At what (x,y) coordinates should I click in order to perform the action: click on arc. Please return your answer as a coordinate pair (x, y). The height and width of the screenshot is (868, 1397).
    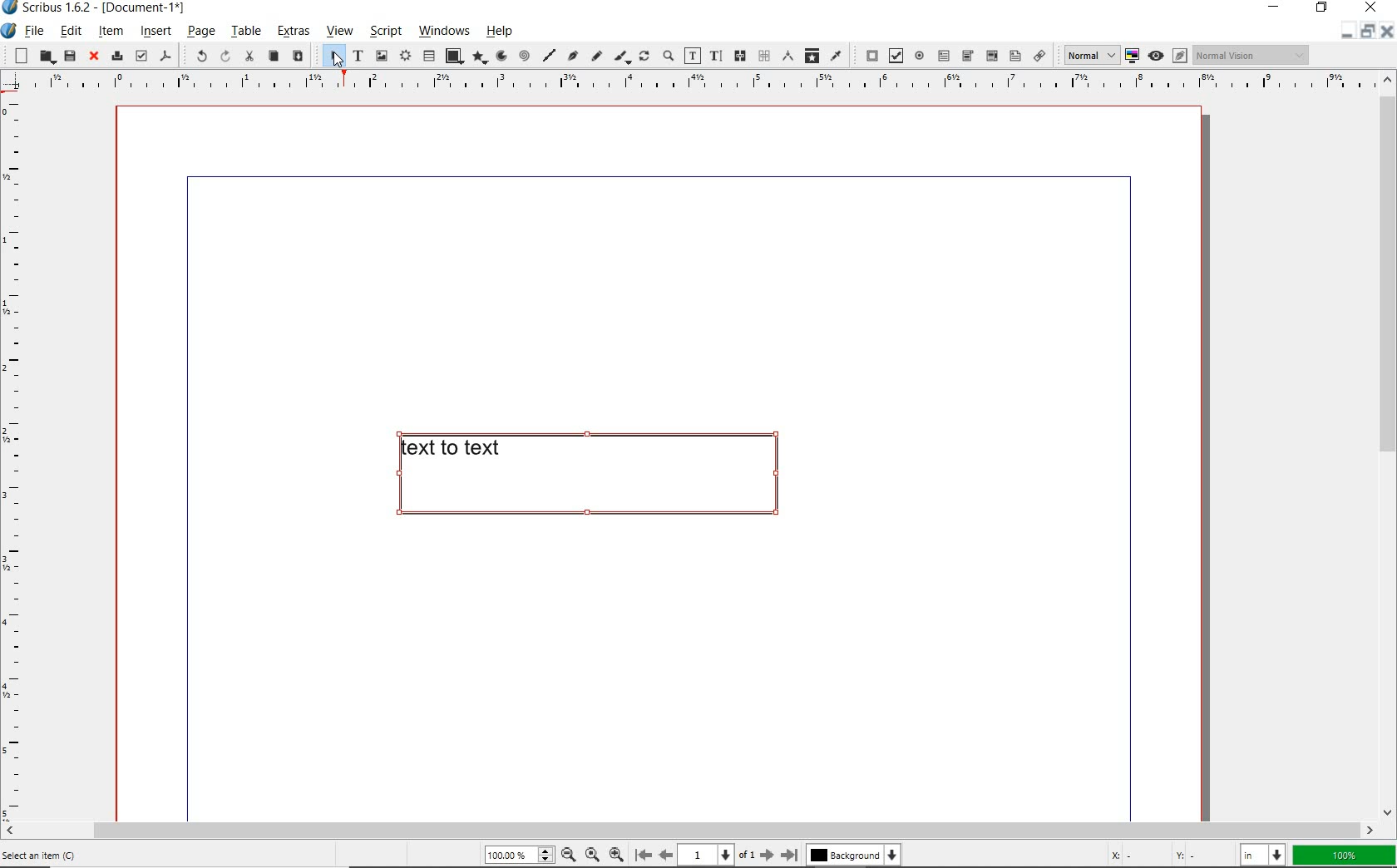
    Looking at the image, I should click on (500, 57).